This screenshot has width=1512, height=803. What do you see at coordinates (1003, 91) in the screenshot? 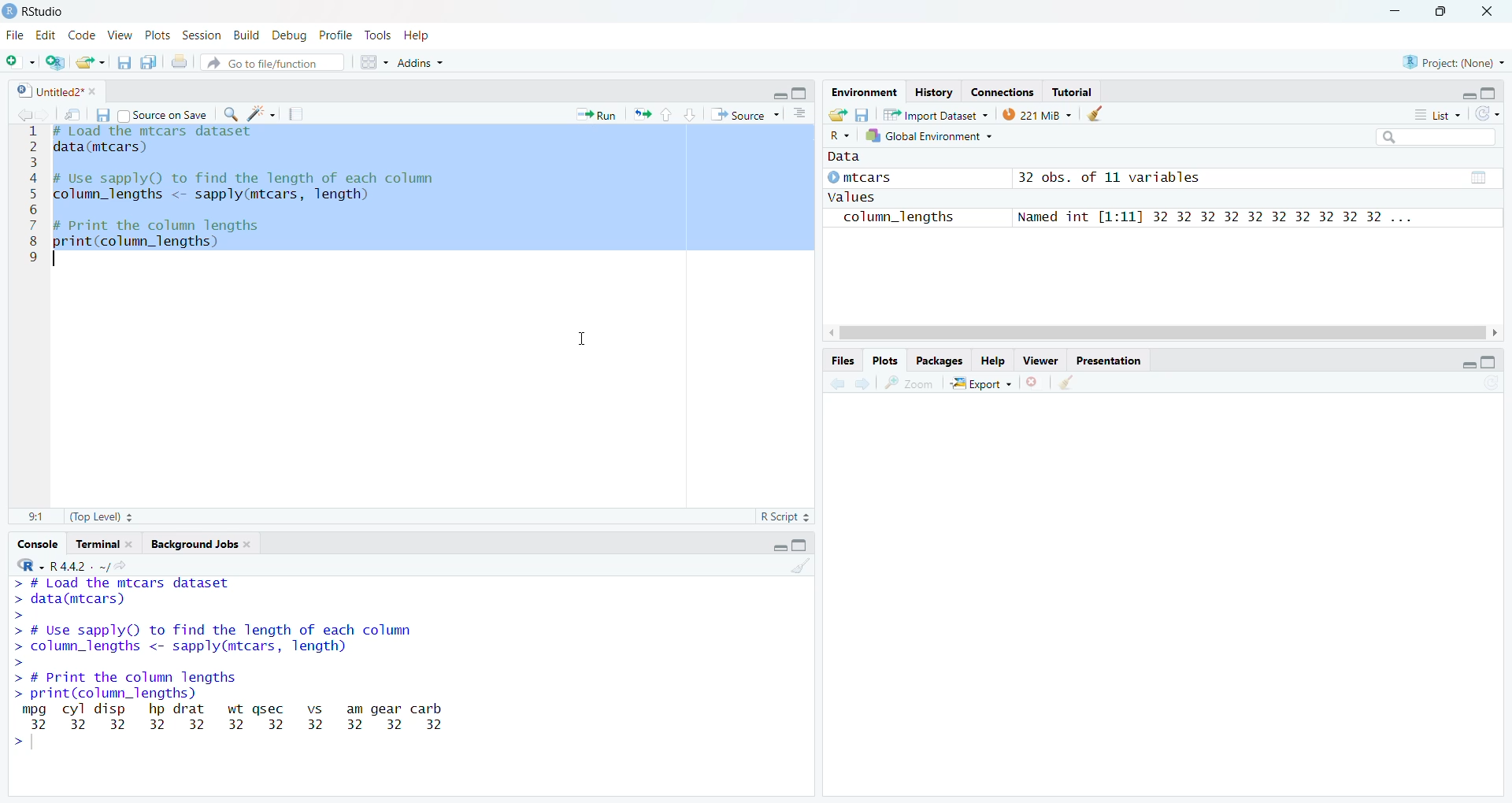
I see `Connections` at bounding box center [1003, 91].